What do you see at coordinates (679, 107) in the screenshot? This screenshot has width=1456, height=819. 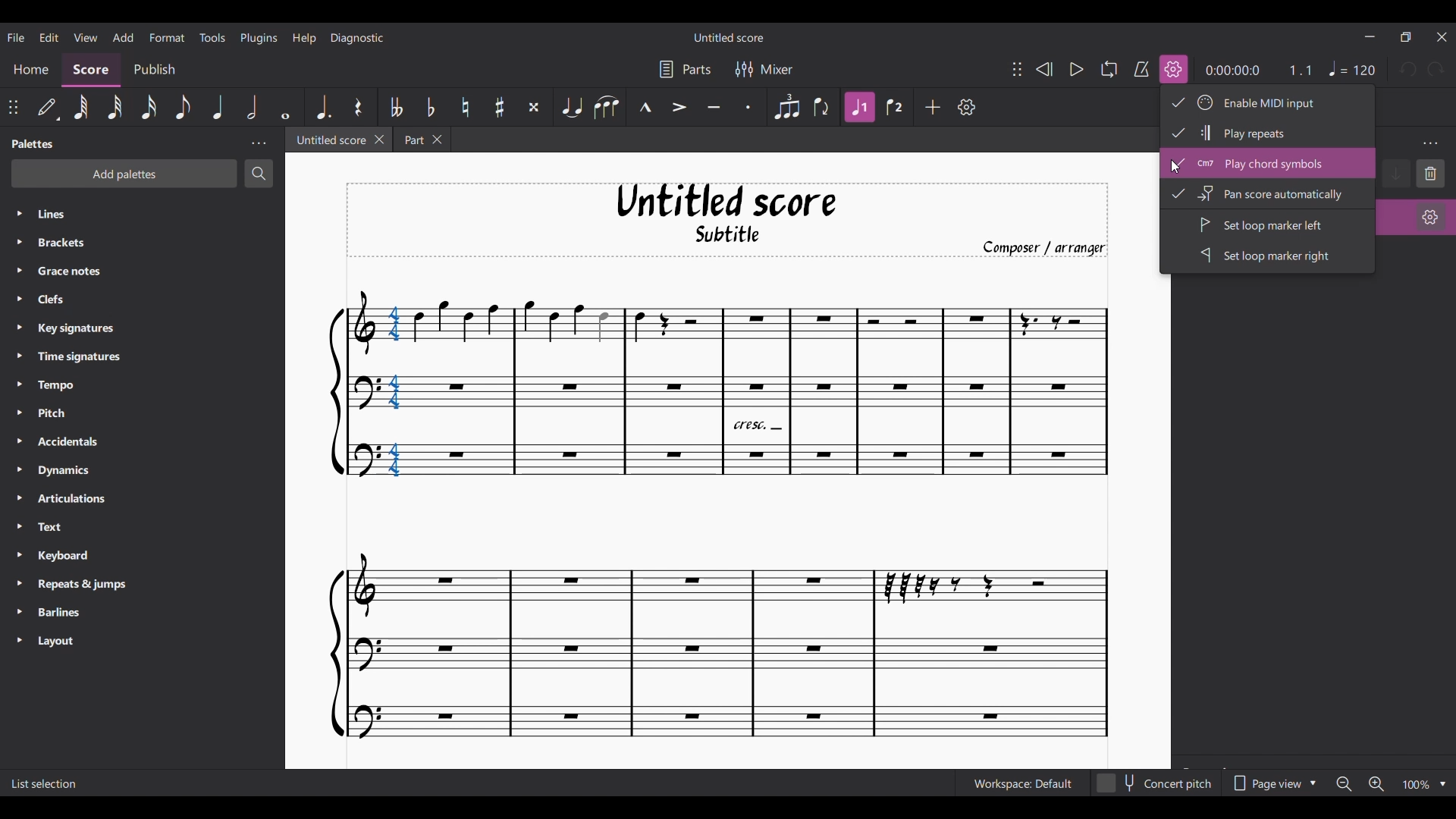 I see `Accent` at bounding box center [679, 107].